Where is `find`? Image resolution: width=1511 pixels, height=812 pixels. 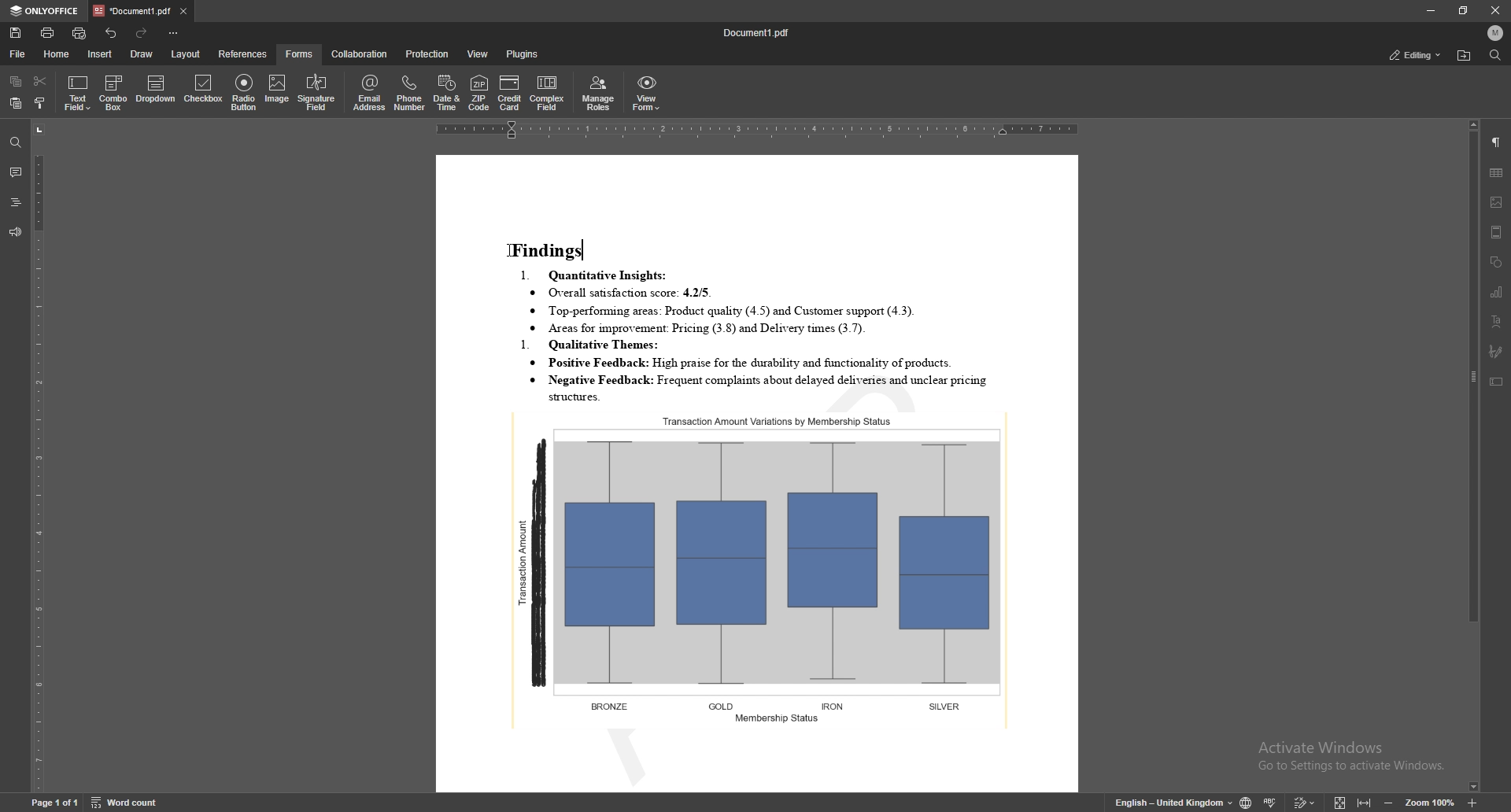 find is located at coordinates (14, 143).